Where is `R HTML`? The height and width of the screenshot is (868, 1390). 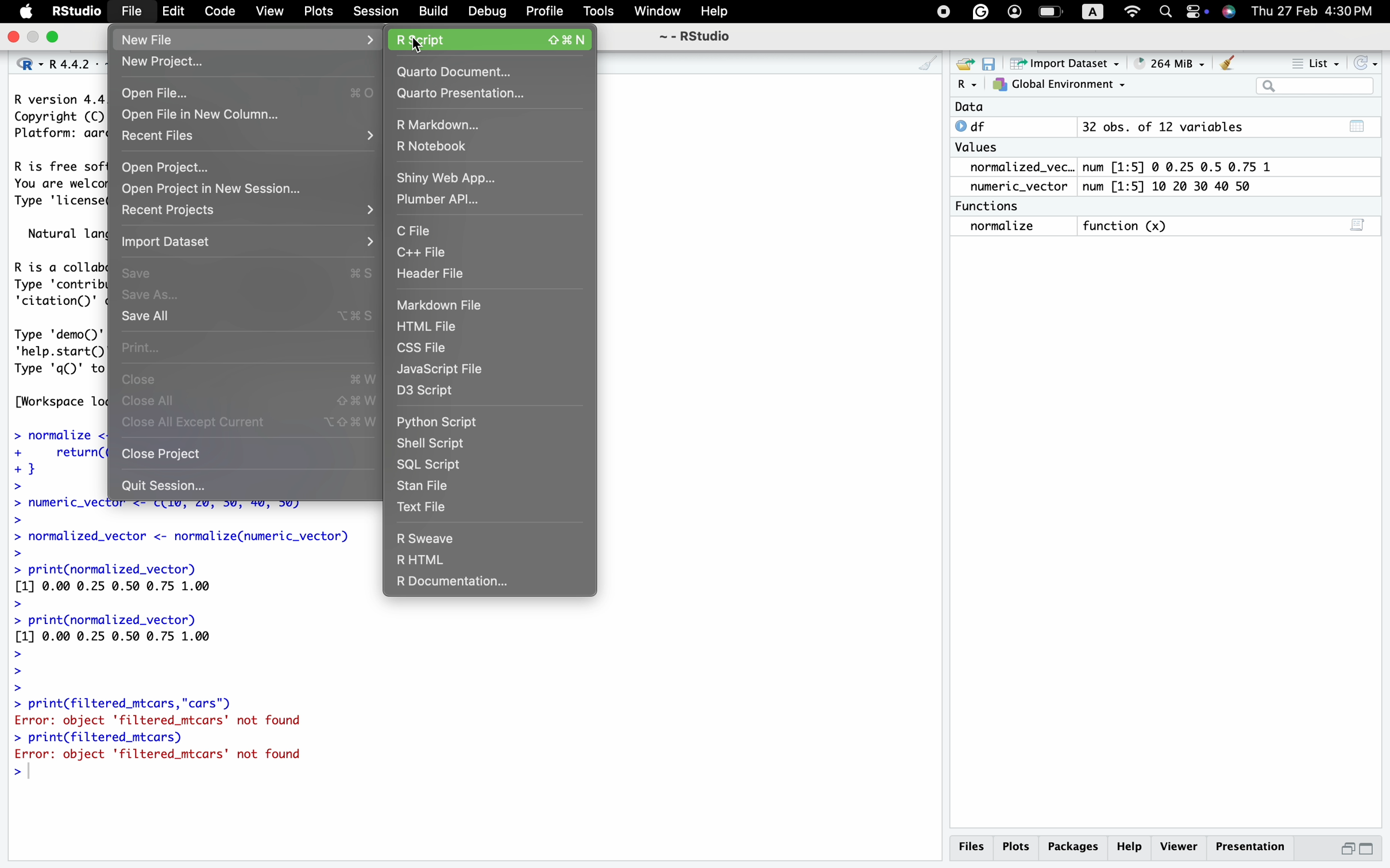
R HTML is located at coordinates (485, 561).